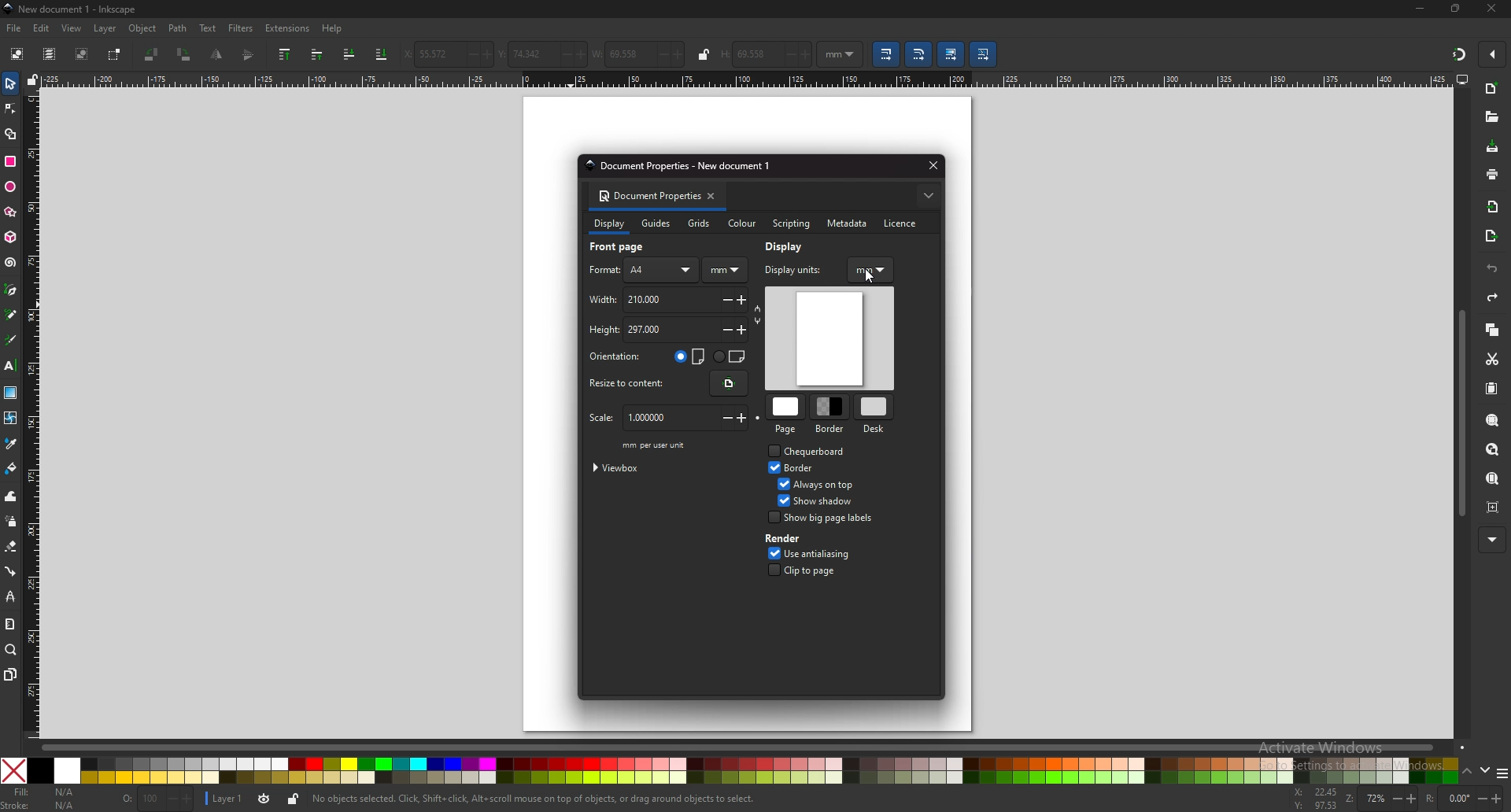  I want to click on Close, so click(13, 770).